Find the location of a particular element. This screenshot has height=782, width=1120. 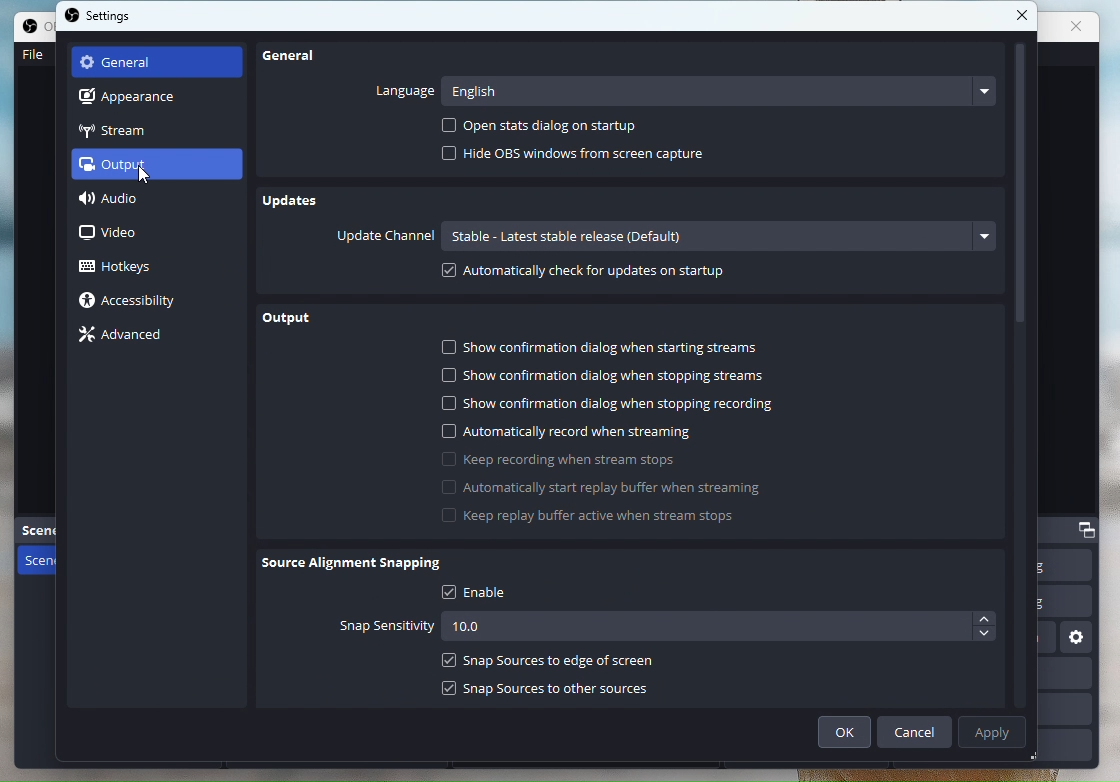

Snap sensitivity is located at coordinates (662, 630).